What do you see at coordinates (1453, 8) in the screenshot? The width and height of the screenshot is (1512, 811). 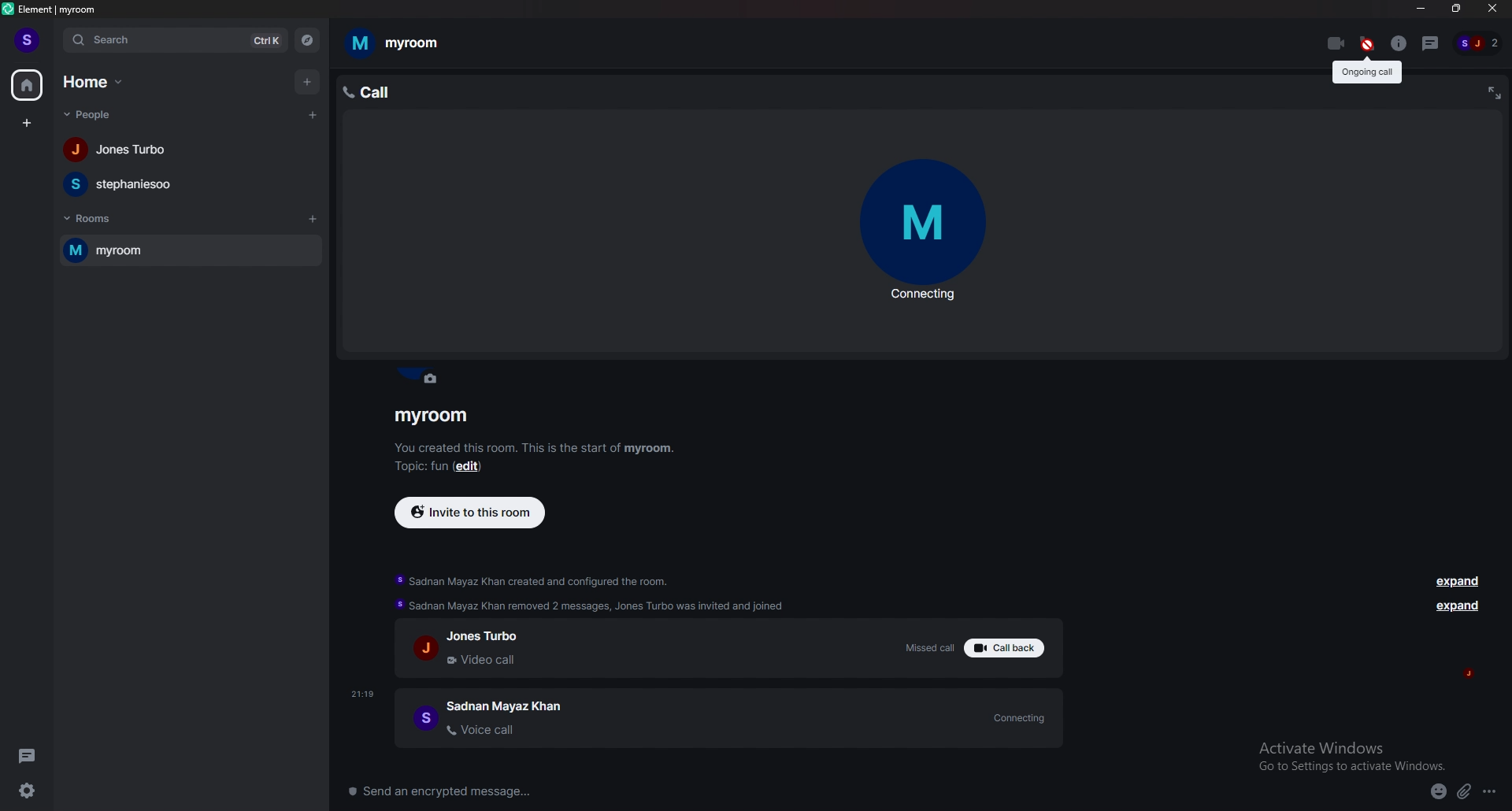 I see `resize` at bounding box center [1453, 8].